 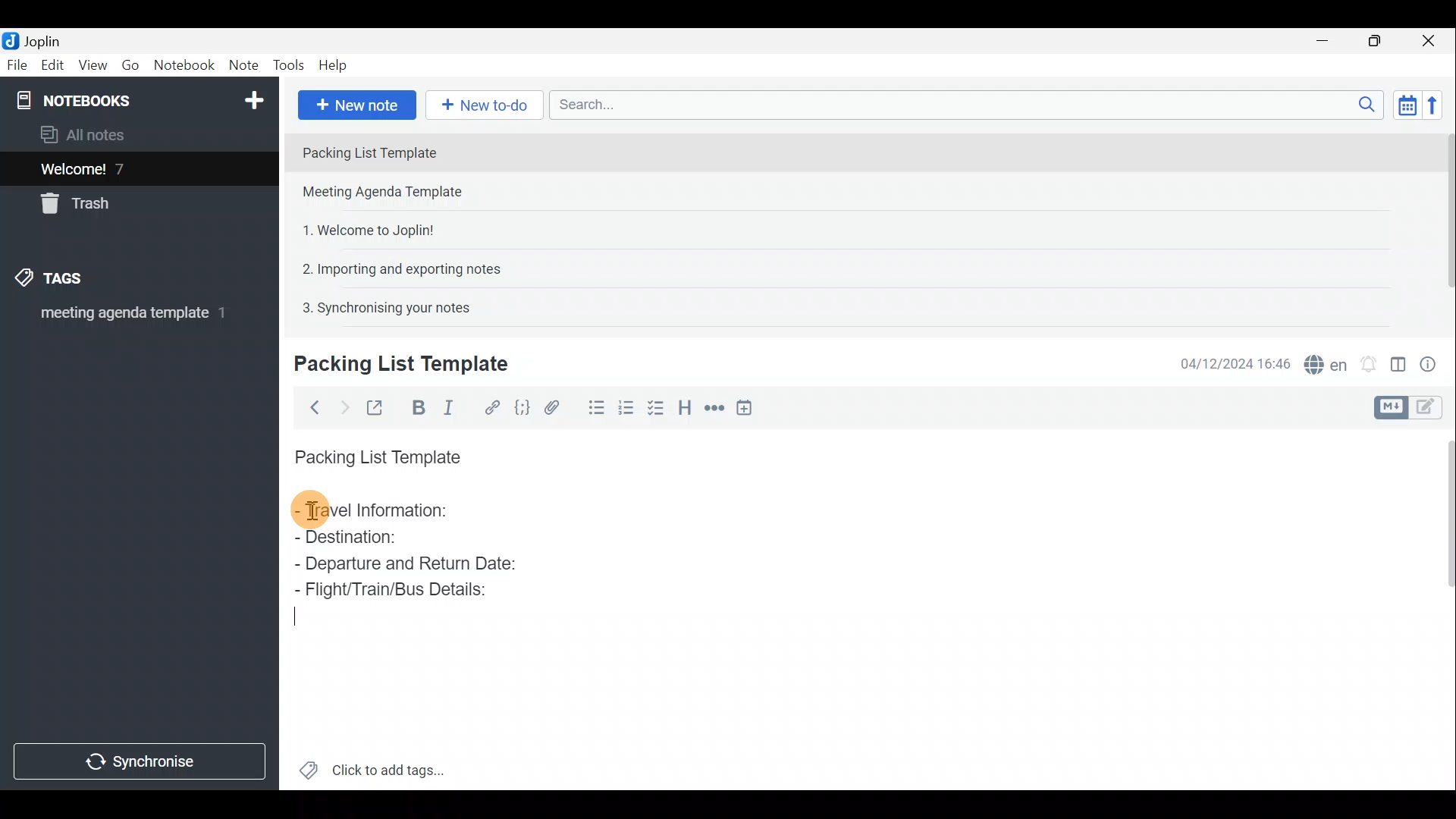 I want to click on Click to add tags, so click(x=372, y=766).